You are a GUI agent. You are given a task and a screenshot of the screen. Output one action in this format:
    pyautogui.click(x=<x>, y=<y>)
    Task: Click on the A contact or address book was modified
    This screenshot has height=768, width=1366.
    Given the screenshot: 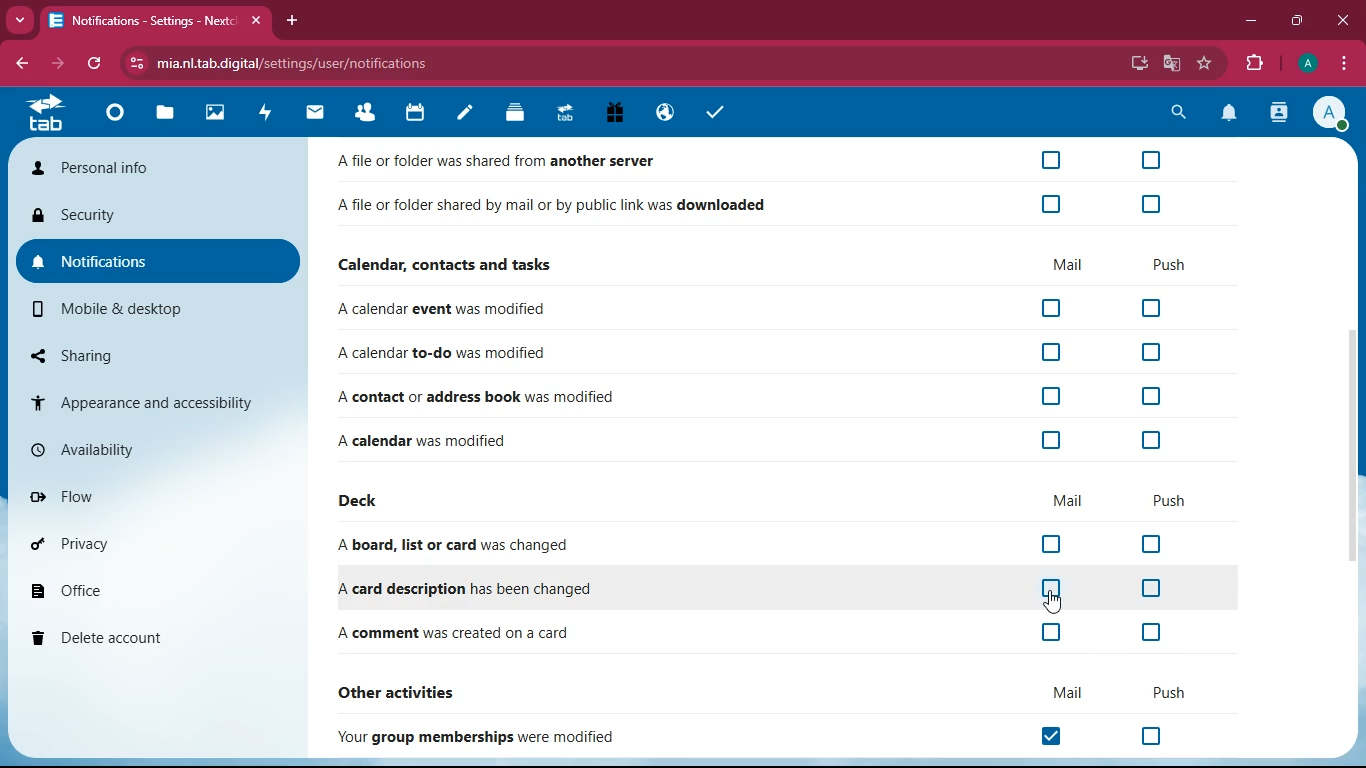 What is the action you would take?
    pyautogui.click(x=475, y=396)
    